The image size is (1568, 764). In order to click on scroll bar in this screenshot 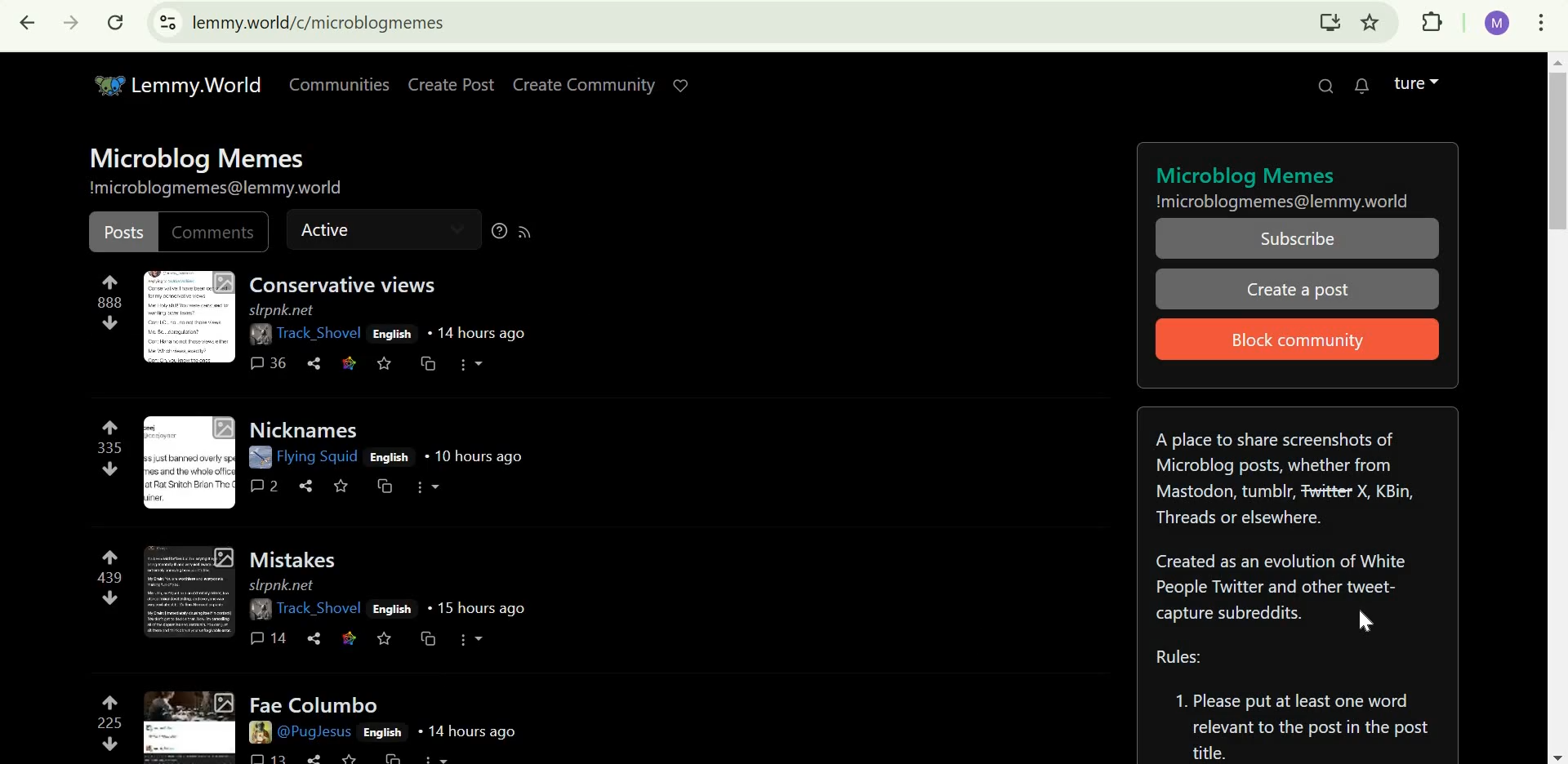, I will do `click(1533, 169)`.